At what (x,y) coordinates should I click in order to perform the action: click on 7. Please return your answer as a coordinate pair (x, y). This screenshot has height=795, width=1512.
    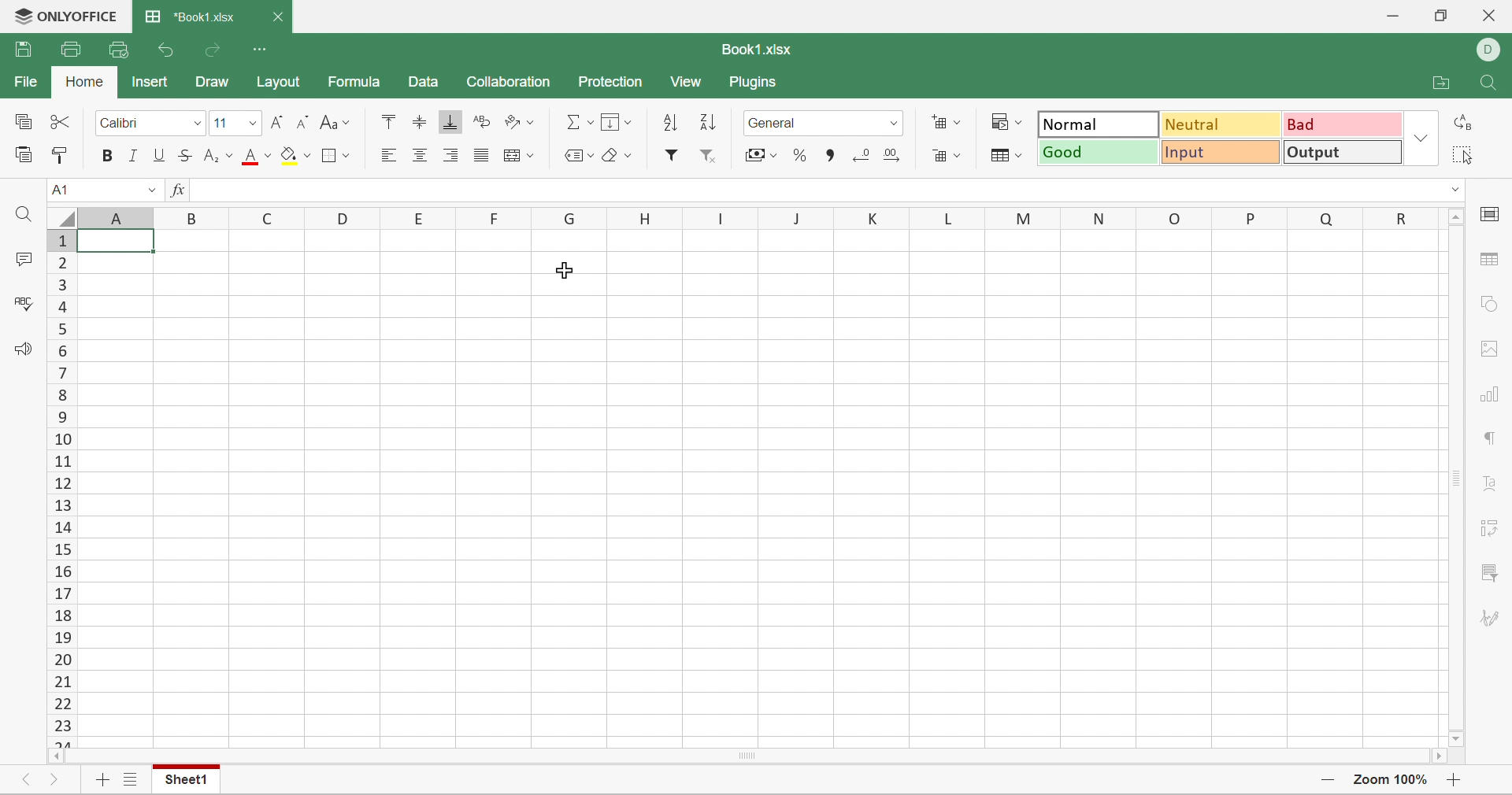
    Looking at the image, I should click on (60, 372).